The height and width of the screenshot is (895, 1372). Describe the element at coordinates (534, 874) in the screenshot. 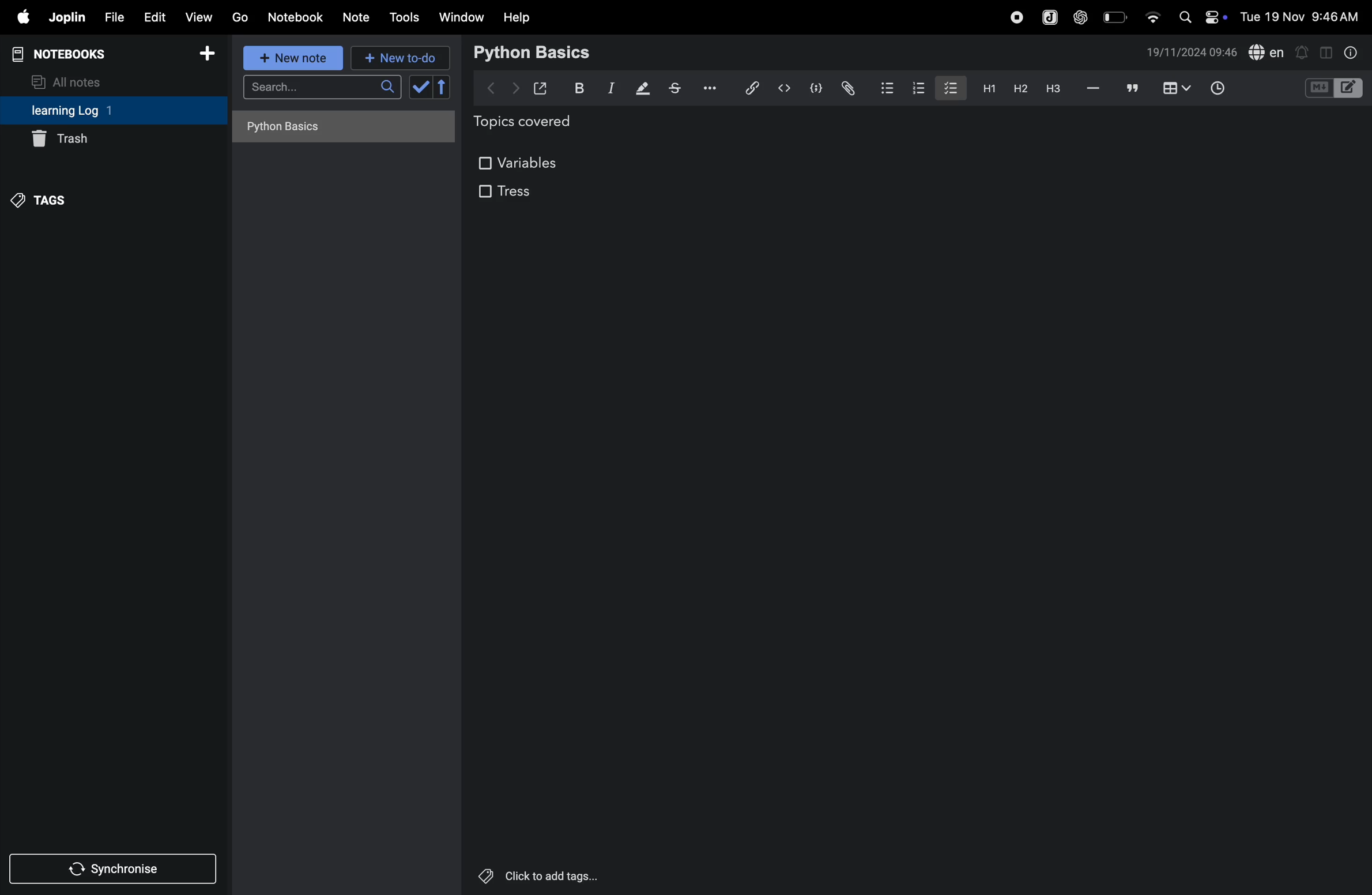

I see `click to add tags` at that location.